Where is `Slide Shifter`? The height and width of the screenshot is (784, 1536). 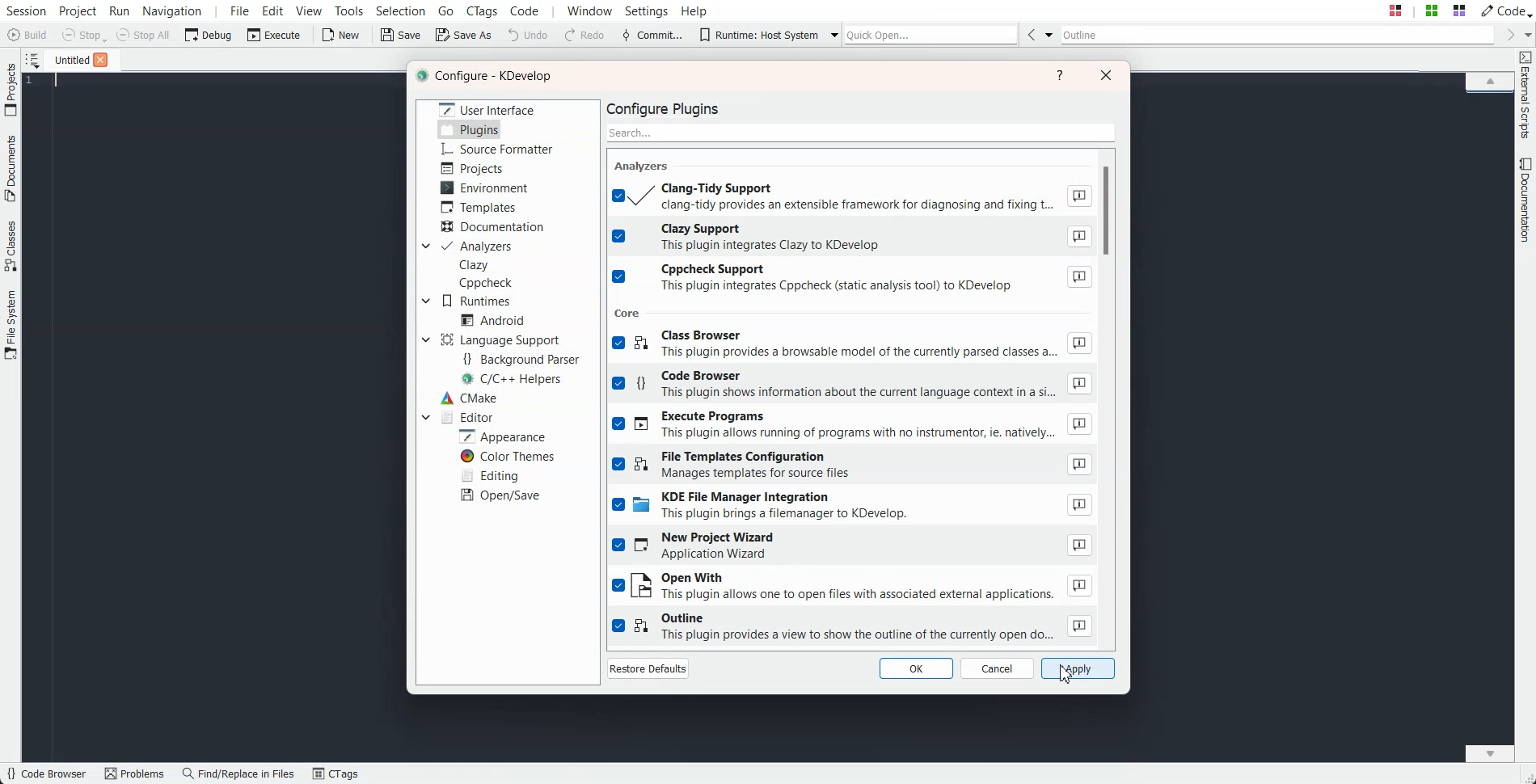
Slide Shifter is located at coordinates (1526, 776).